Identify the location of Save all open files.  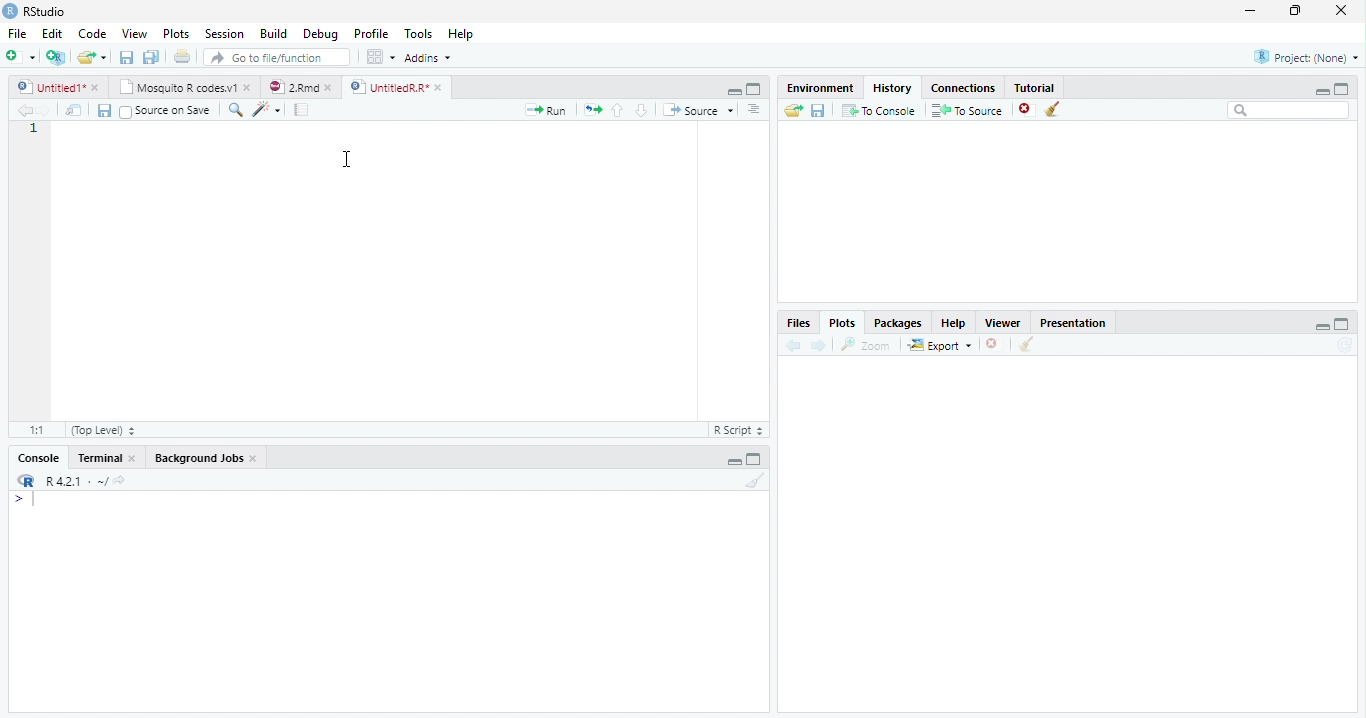
(152, 57).